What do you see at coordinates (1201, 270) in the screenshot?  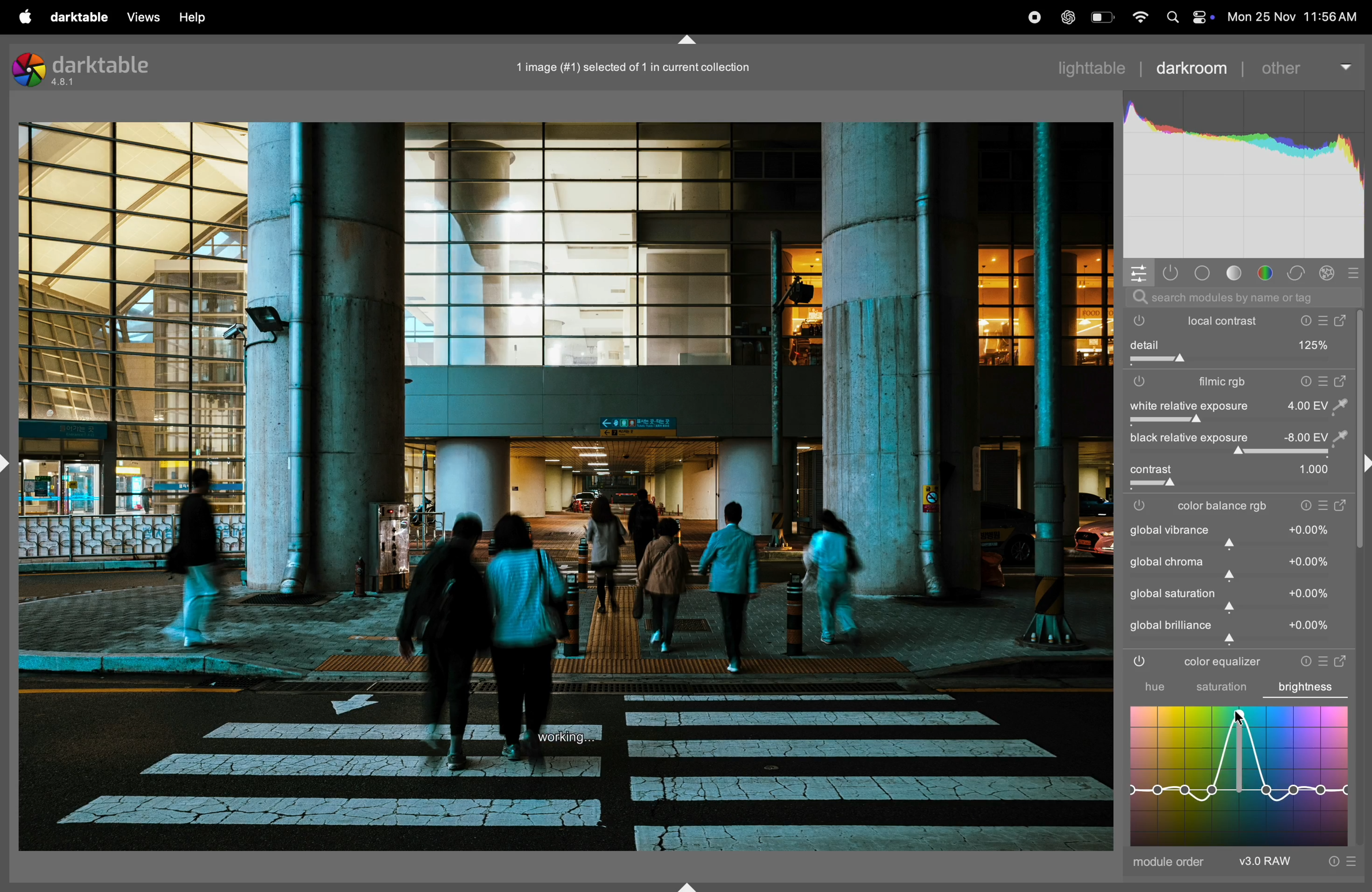 I see `base ` at bounding box center [1201, 270].